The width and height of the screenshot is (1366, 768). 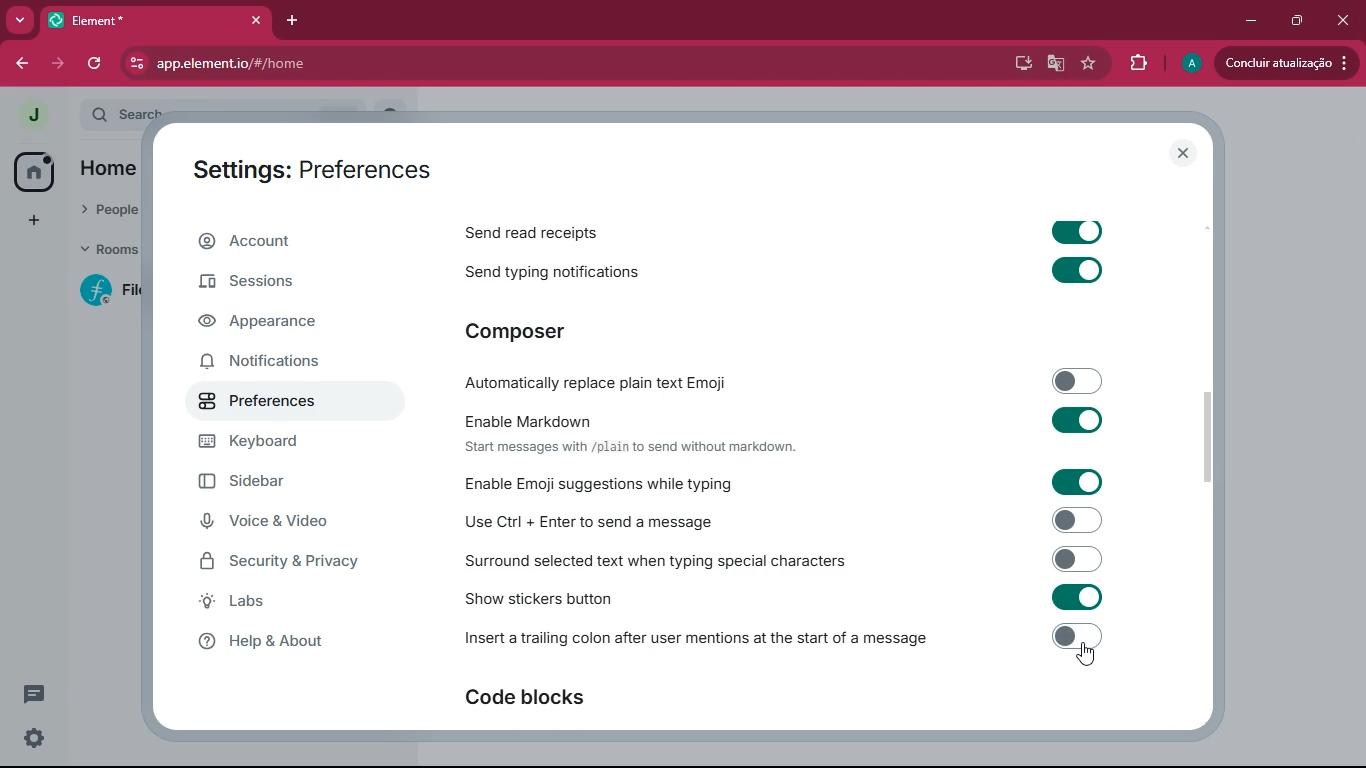 I want to click on conduir atualizacao, so click(x=1284, y=64).